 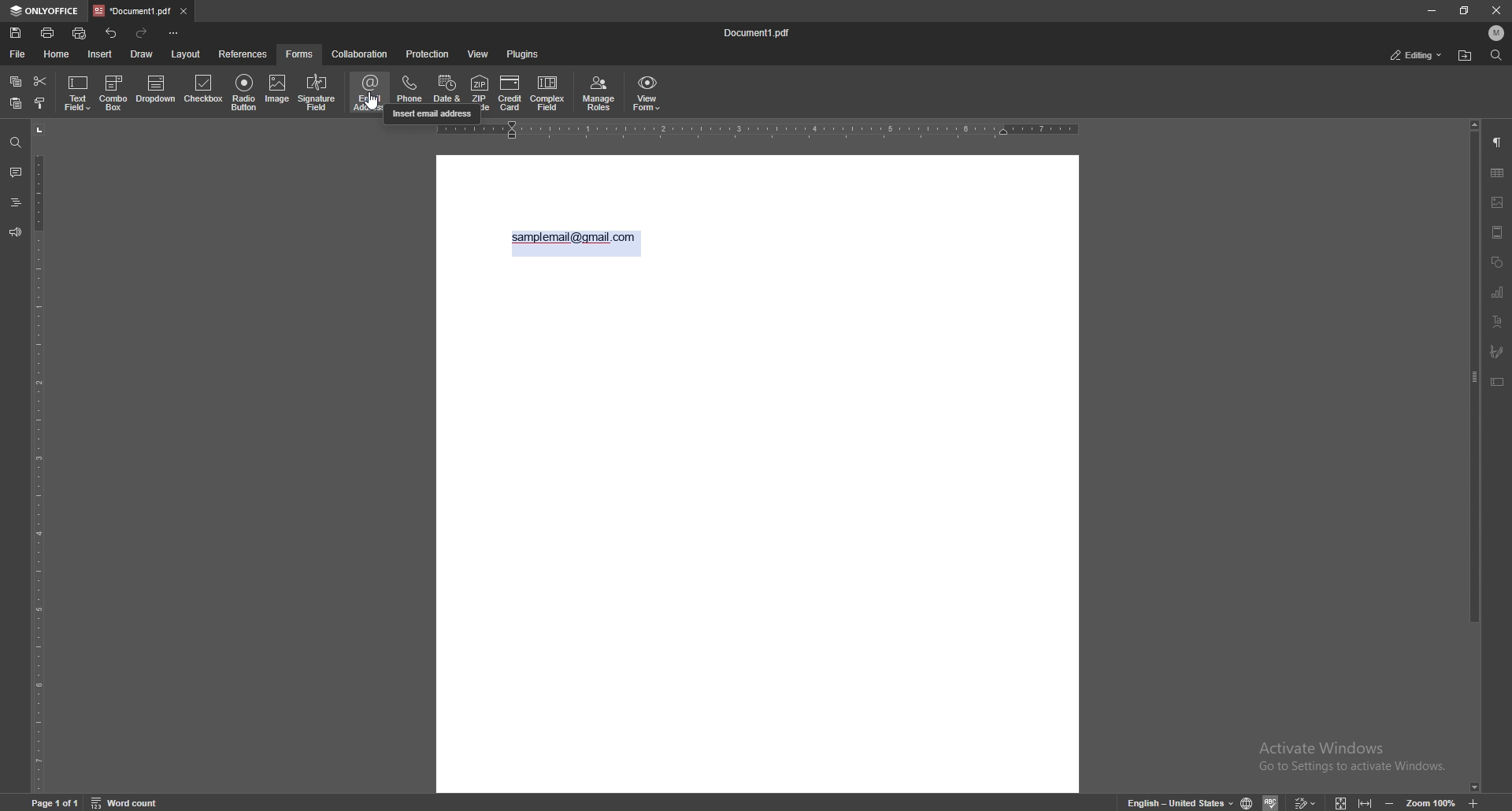 What do you see at coordinates (480, 91) in the screenshot?
I see `zip code` at bounding box center [480, 91].